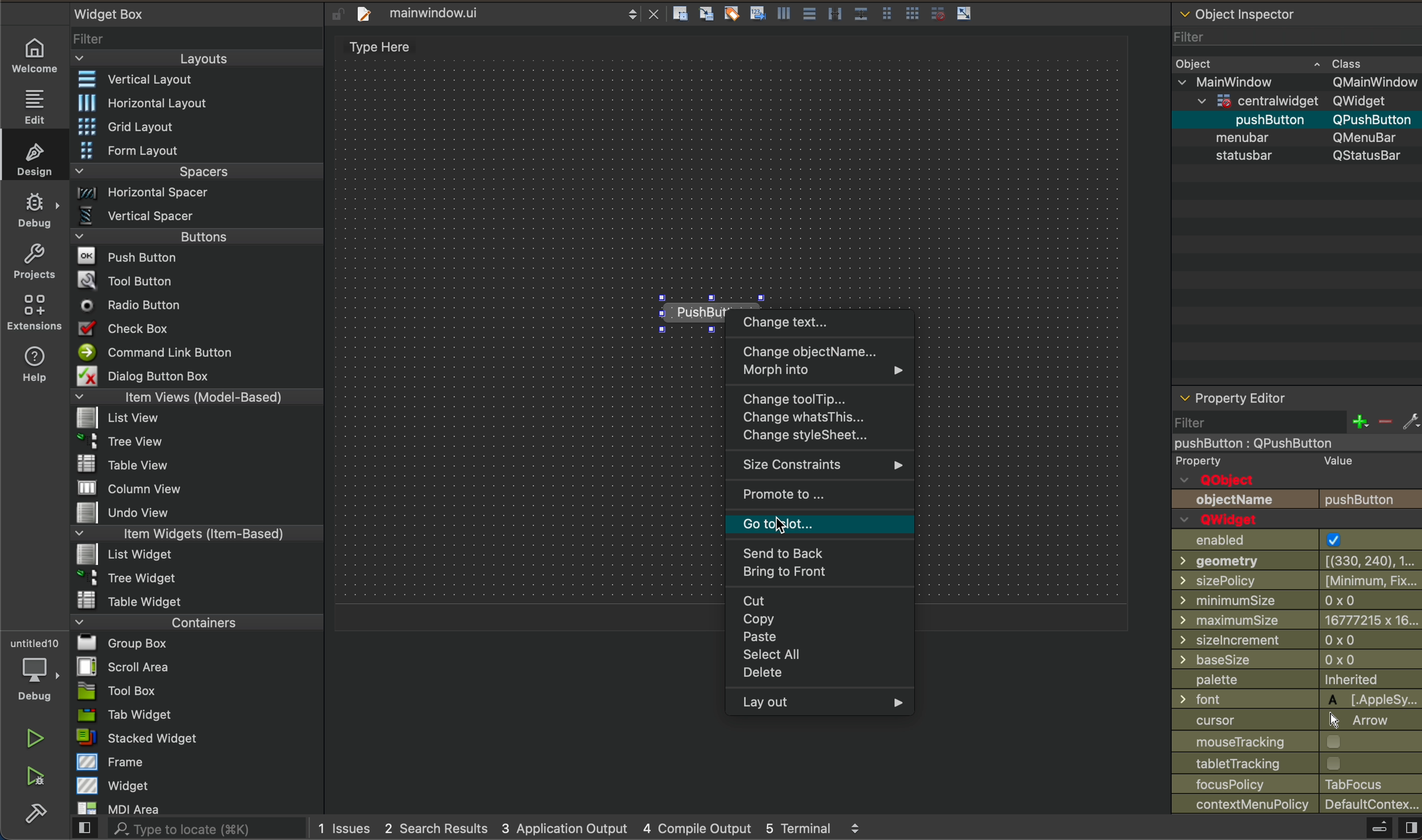 The image size is (1422, 840). Describe the element at coordinates (601, 830) in the screenshot. I see `` at that location.